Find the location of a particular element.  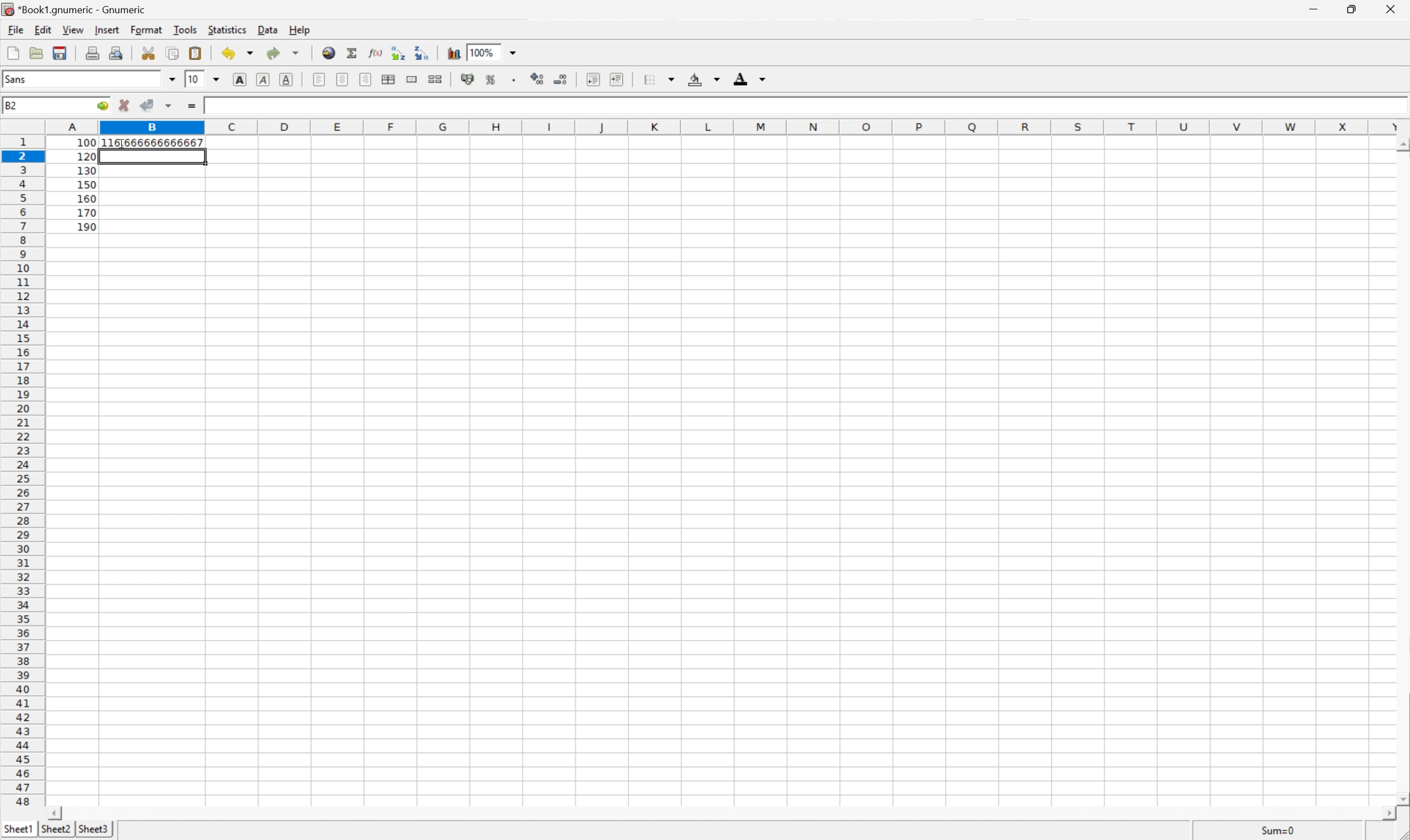

Create a new workbook is located at coordinates (11, 53).